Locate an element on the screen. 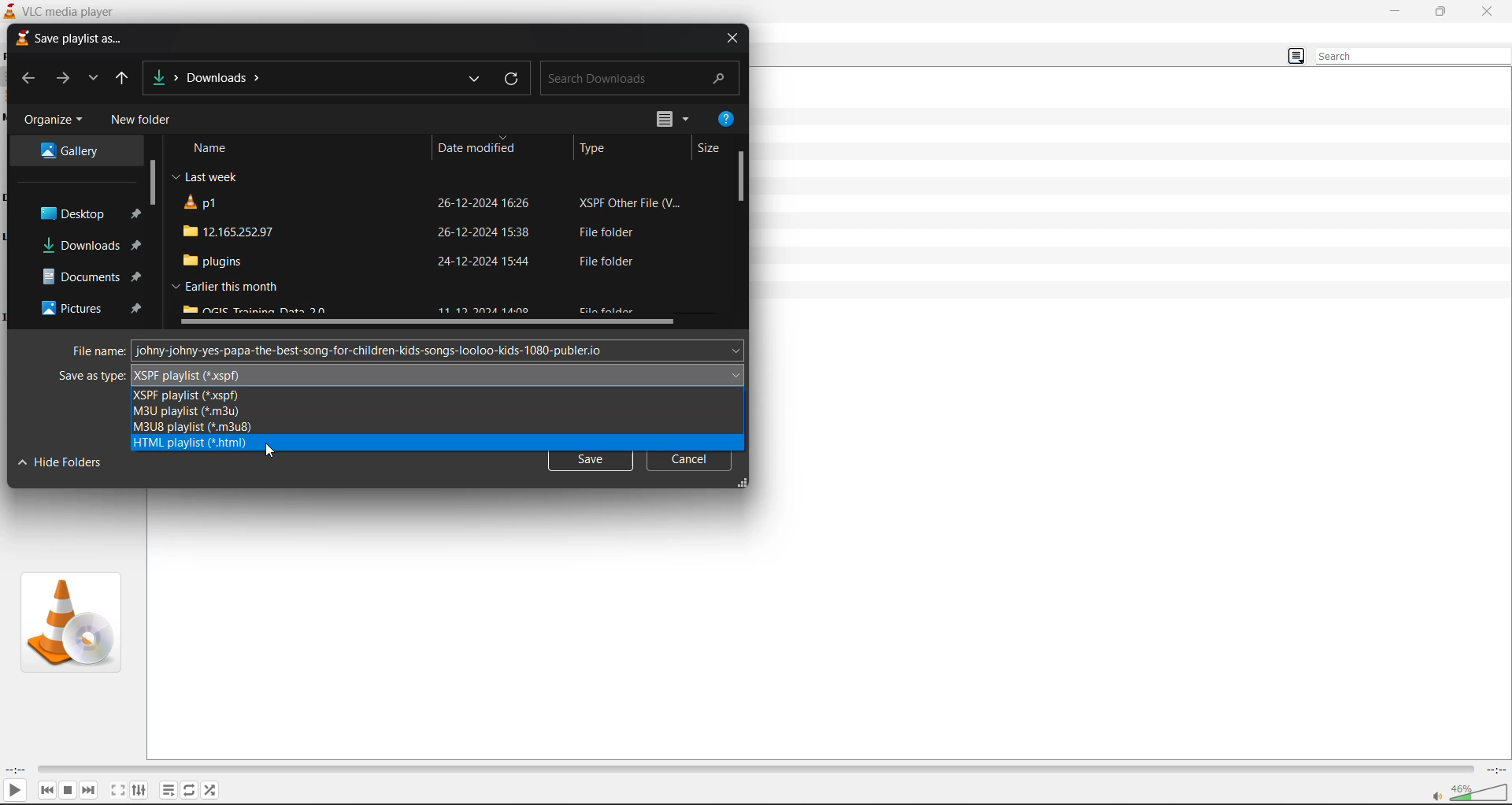 Image resolution: width=1512 pixels, height=805 pixels. type is located at coordinates (593, 149).